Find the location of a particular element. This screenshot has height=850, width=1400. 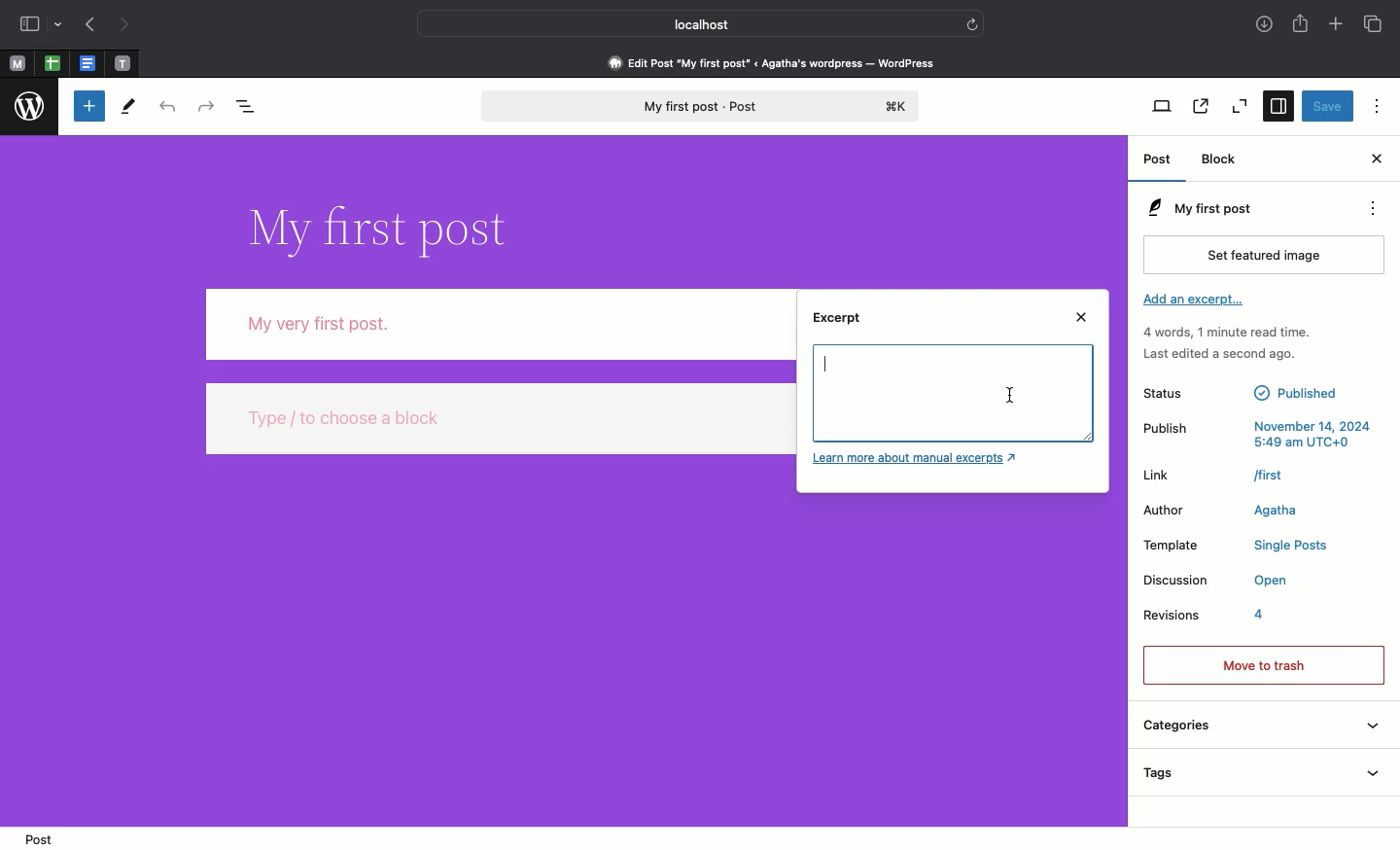

cursor is located at coordinates (1011, 400).